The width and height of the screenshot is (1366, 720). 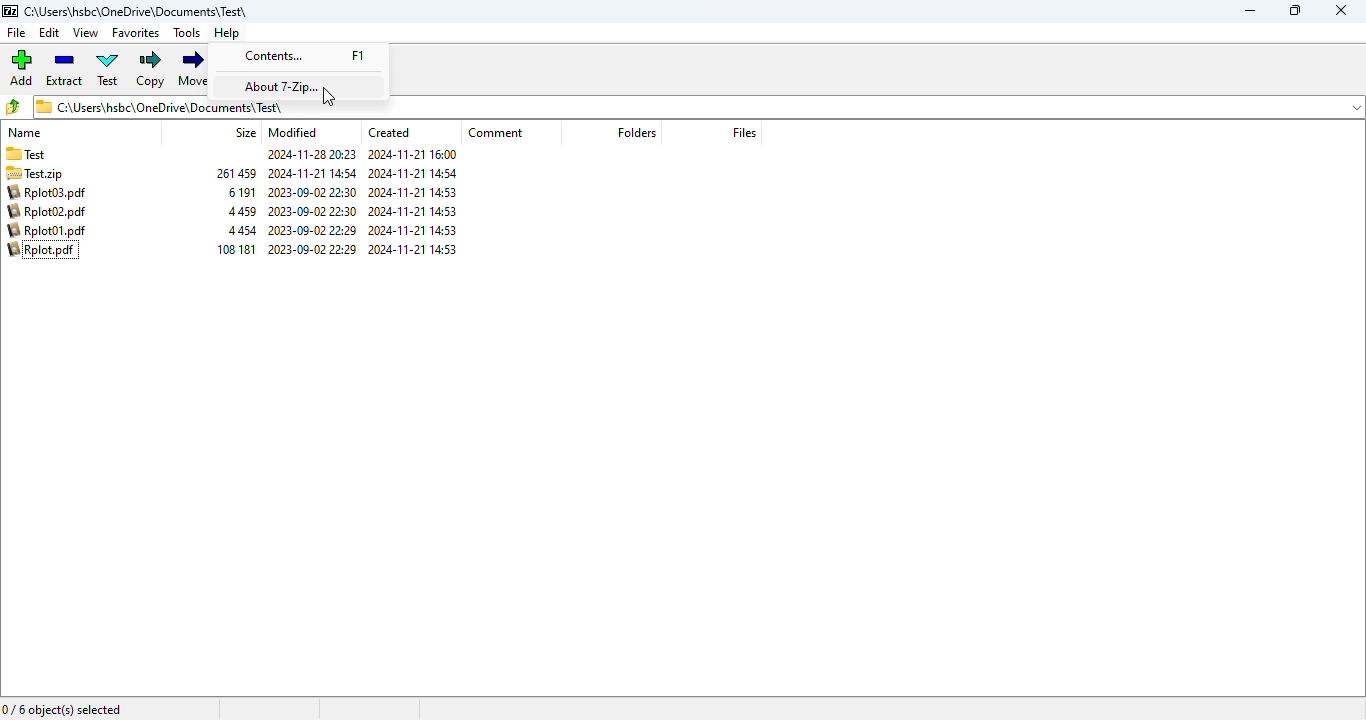 What do you see at coordinates (164, 110) in the screenshot?
I see `C:\Users\hsbc\OneDrive\Documents\Test\` at bounding box center [164, 110].